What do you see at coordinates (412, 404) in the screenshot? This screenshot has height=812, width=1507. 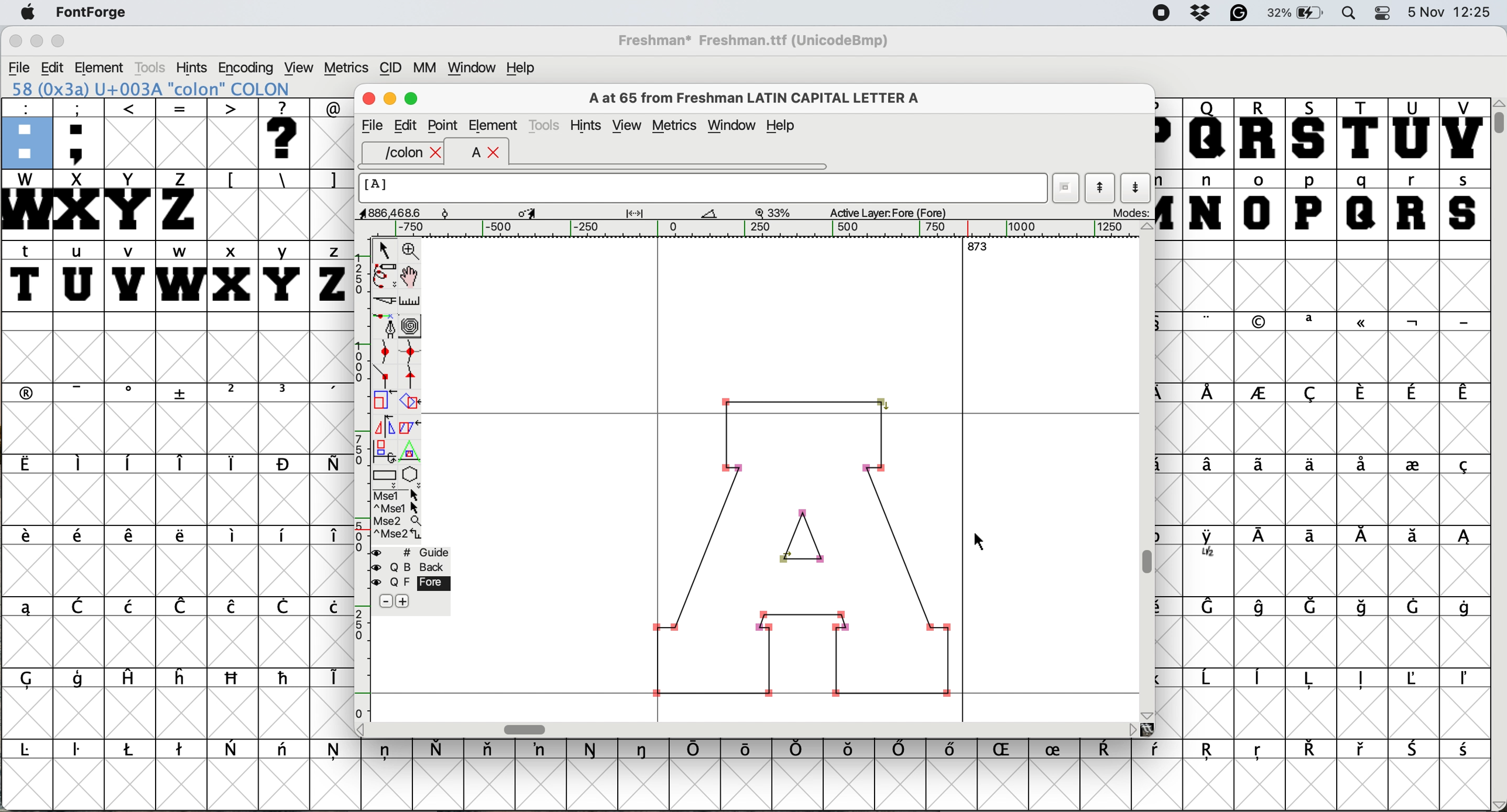 I see `rotate the selection` at bounding box center [412, 404].